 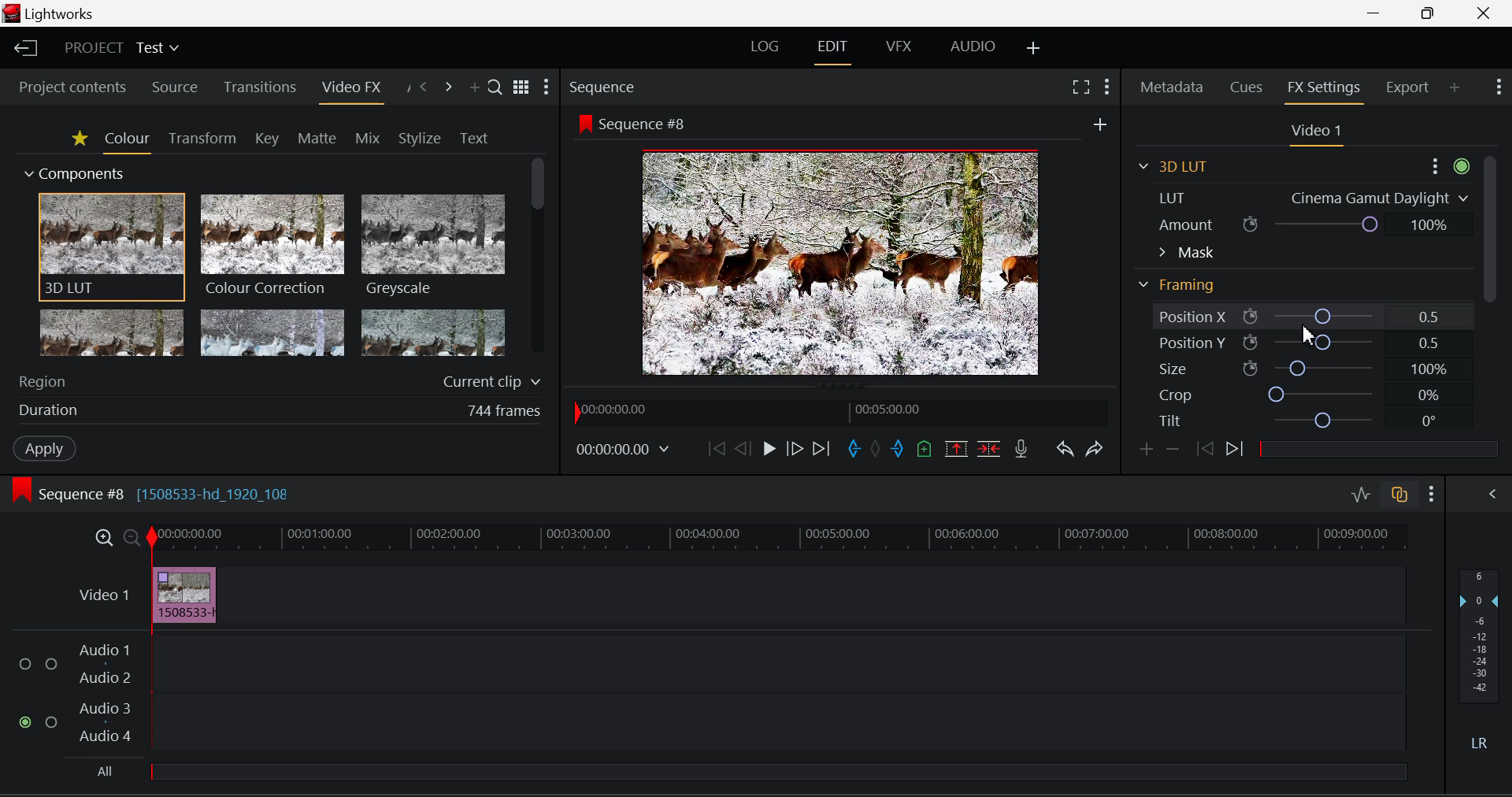 What do you see at coordinates (1303, 315) in the screenshot?
I see `Position X` at bounding box center [1303, 315].